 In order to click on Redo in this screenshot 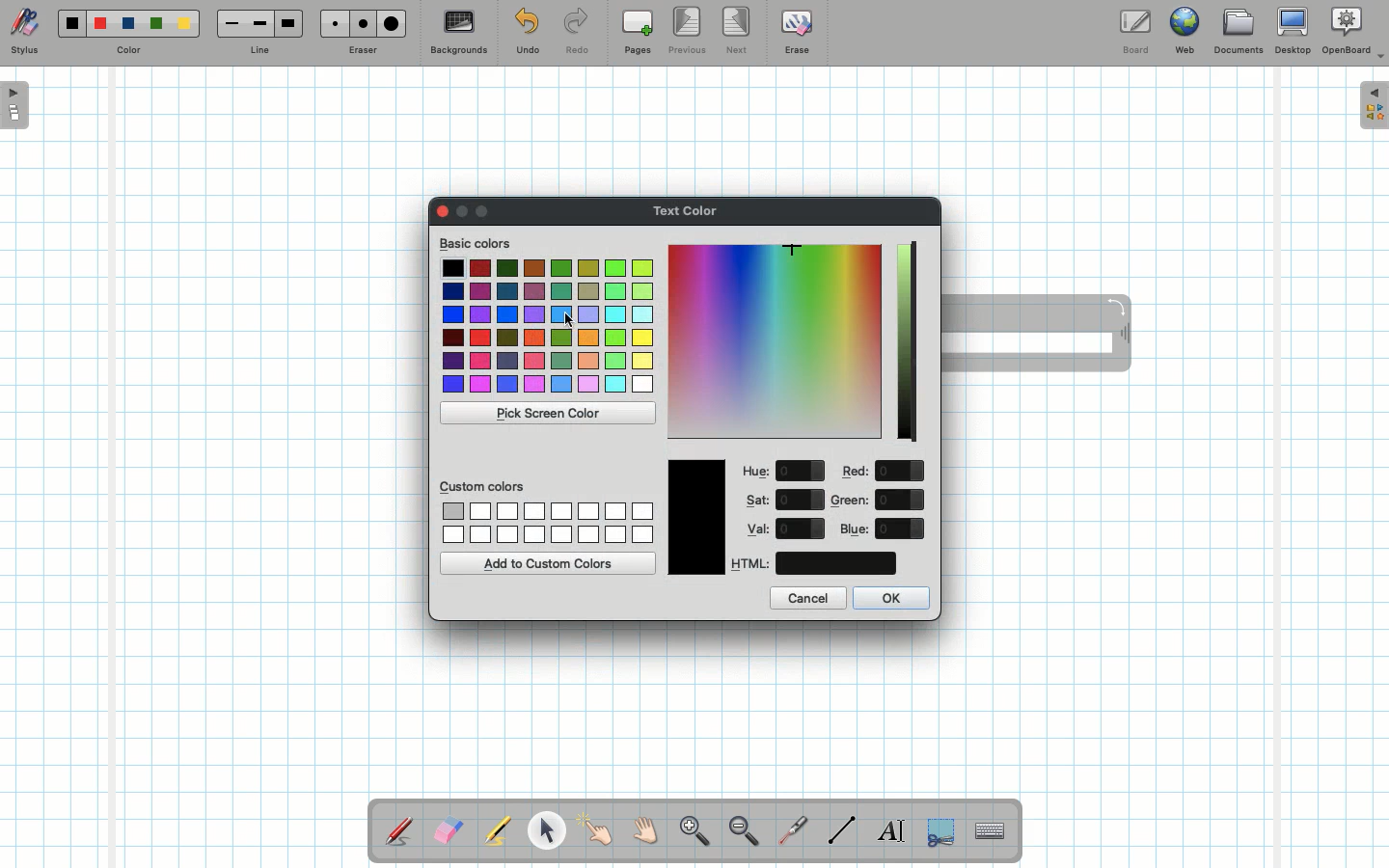, I will do `click(577, 35)`.